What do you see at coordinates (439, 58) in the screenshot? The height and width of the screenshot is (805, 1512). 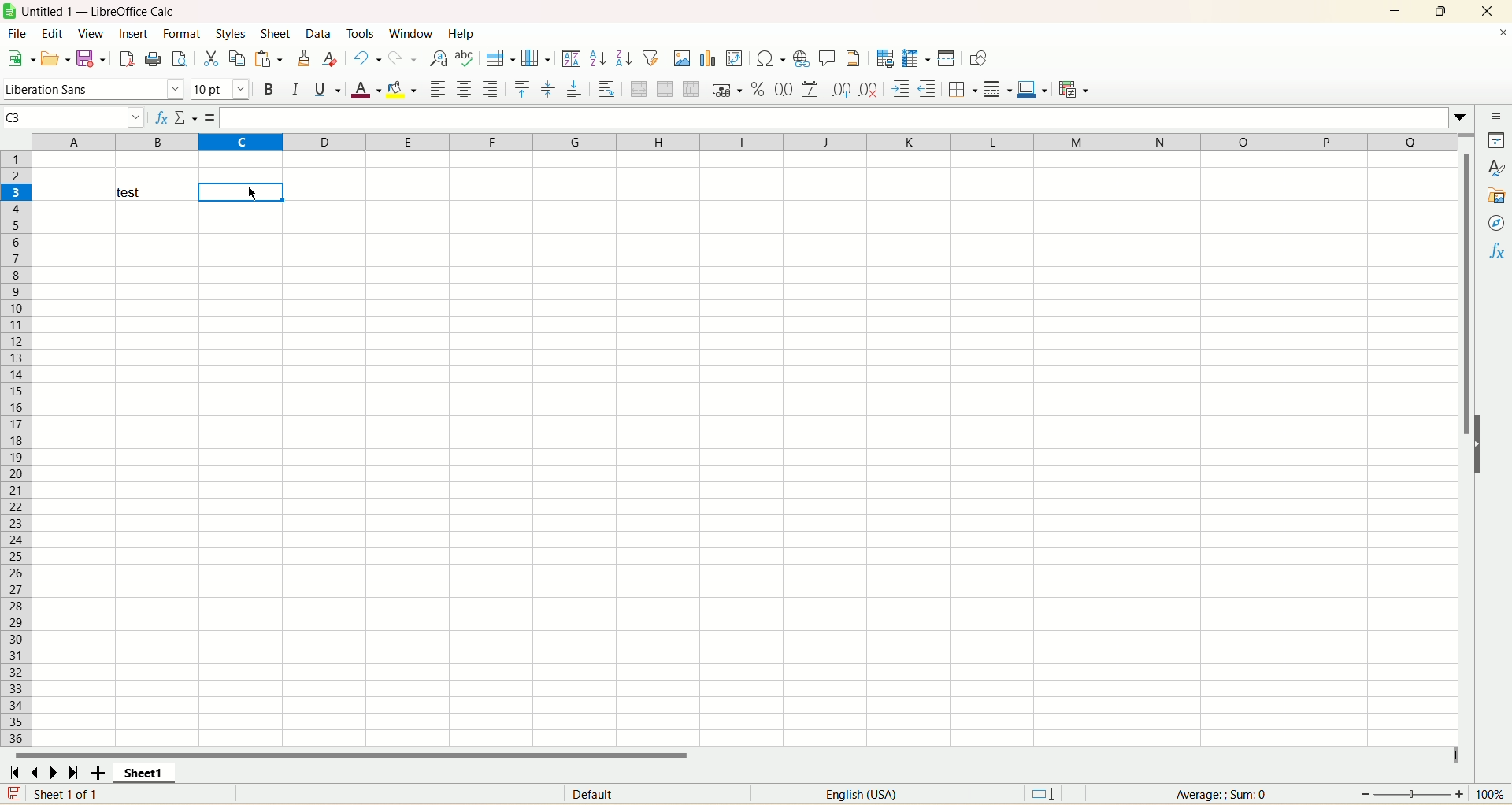 I see `find and replace` at bounding box center [439, 58].